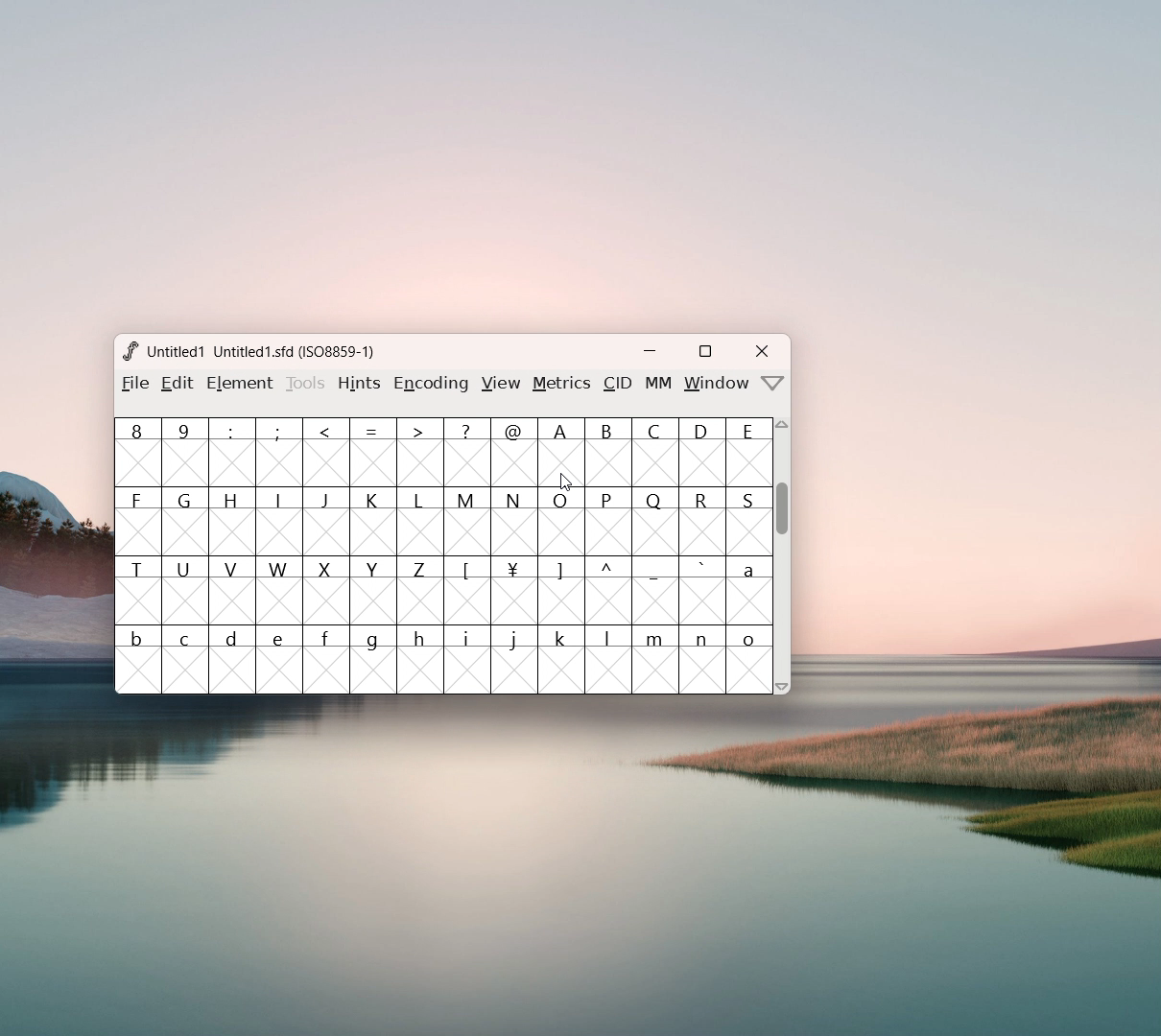 This screenshot has height=1036, width=1161. Describe the element at coordinates (703, 452) in the screenshot. I see `D` at that location.